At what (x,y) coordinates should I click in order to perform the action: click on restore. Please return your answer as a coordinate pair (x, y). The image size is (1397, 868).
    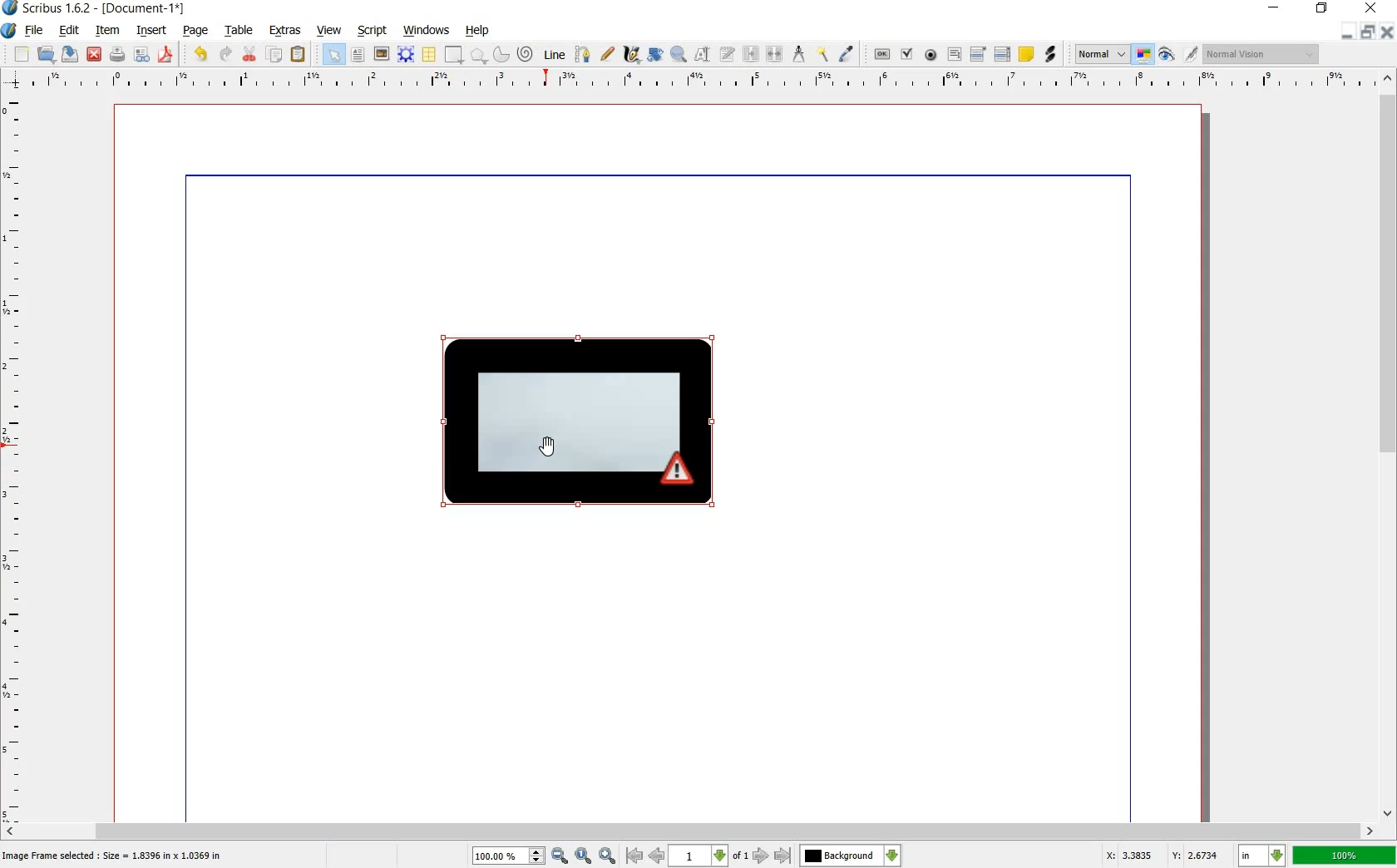
    Looking at the image, I should click on (1322, 8).